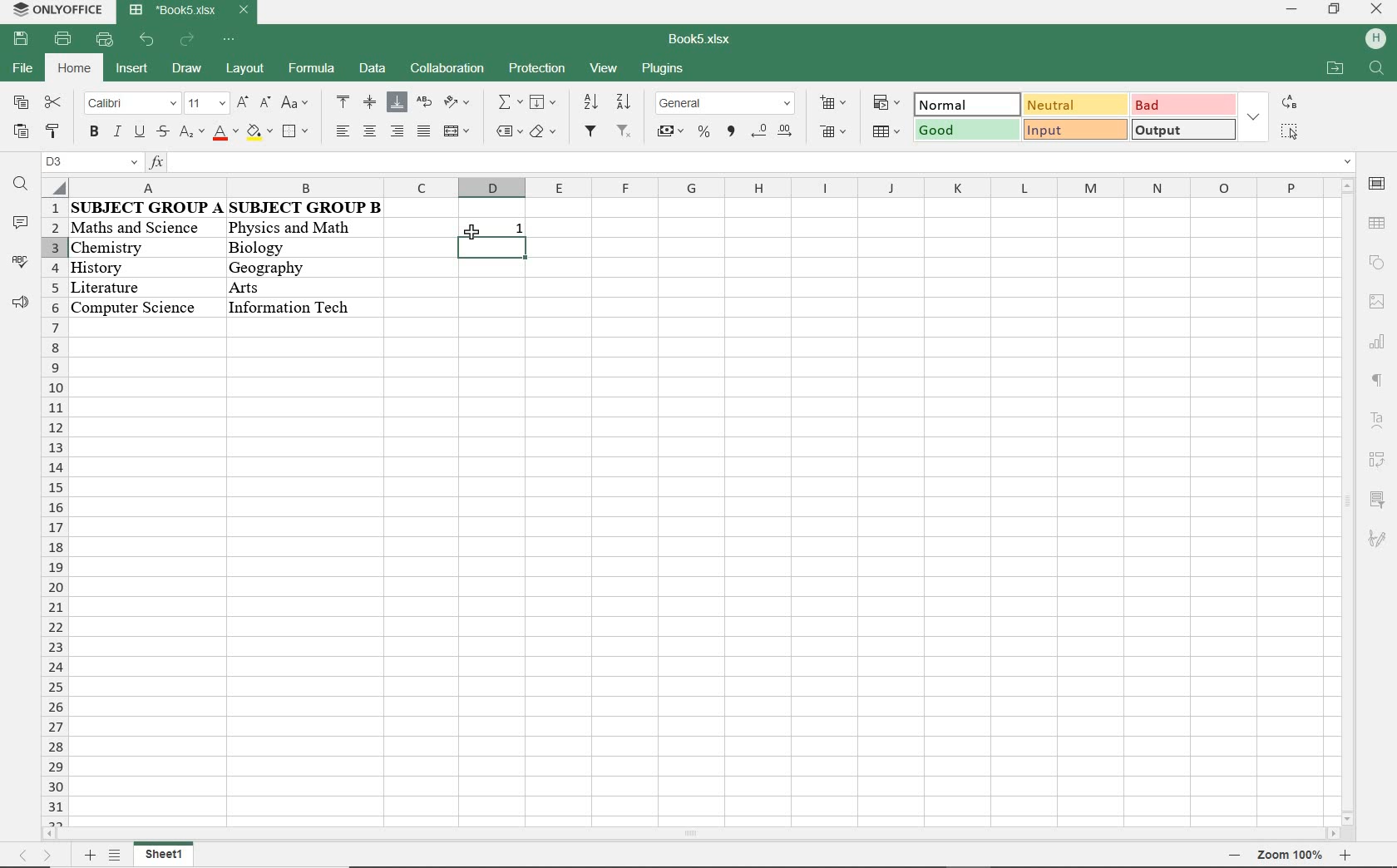  Describe the element at coordinates (1379, 539) in the screenshot. I see `sign` at that location.